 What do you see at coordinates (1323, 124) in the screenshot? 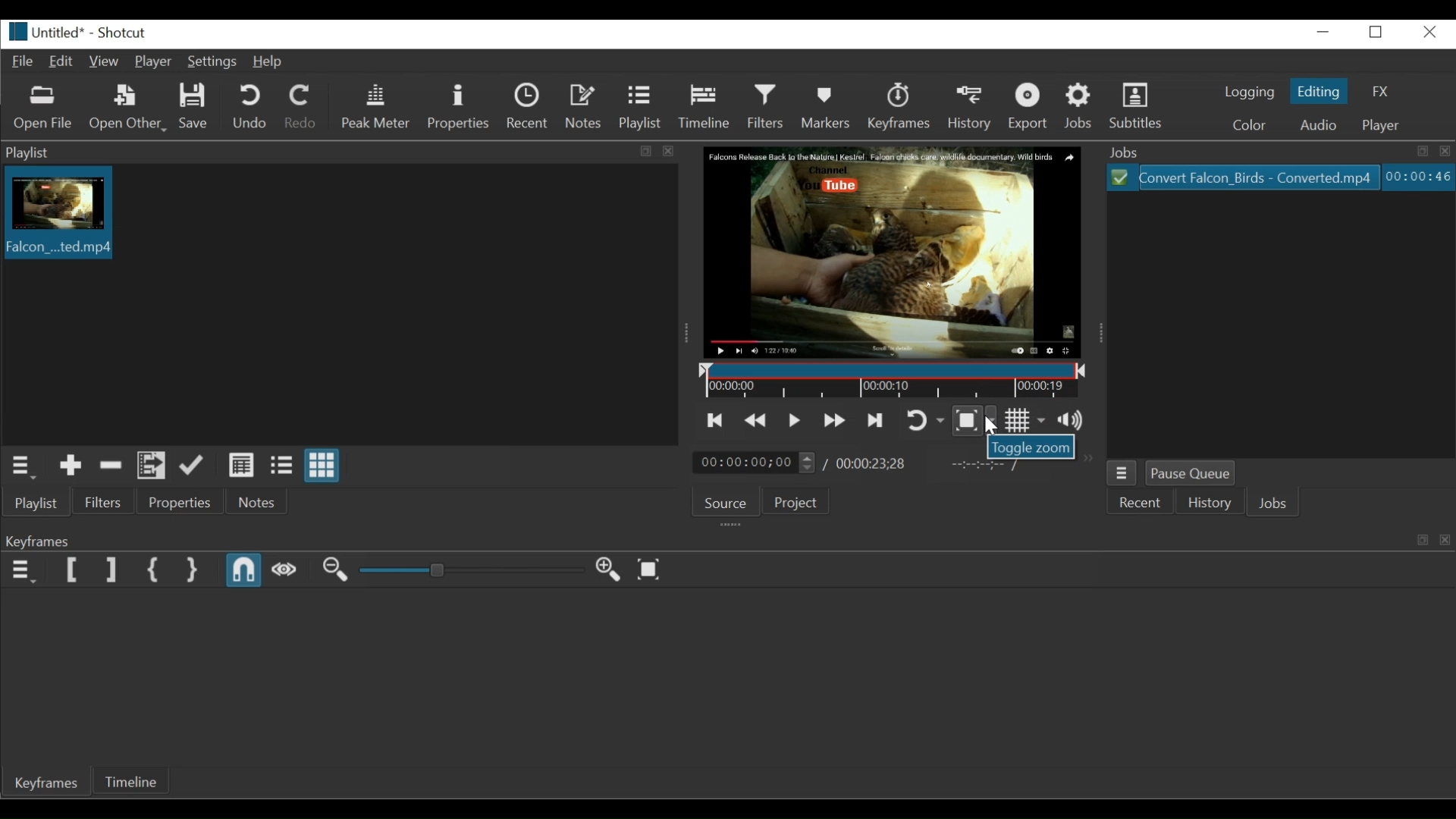
I see `Audio` at bounding box center [1323, 124].